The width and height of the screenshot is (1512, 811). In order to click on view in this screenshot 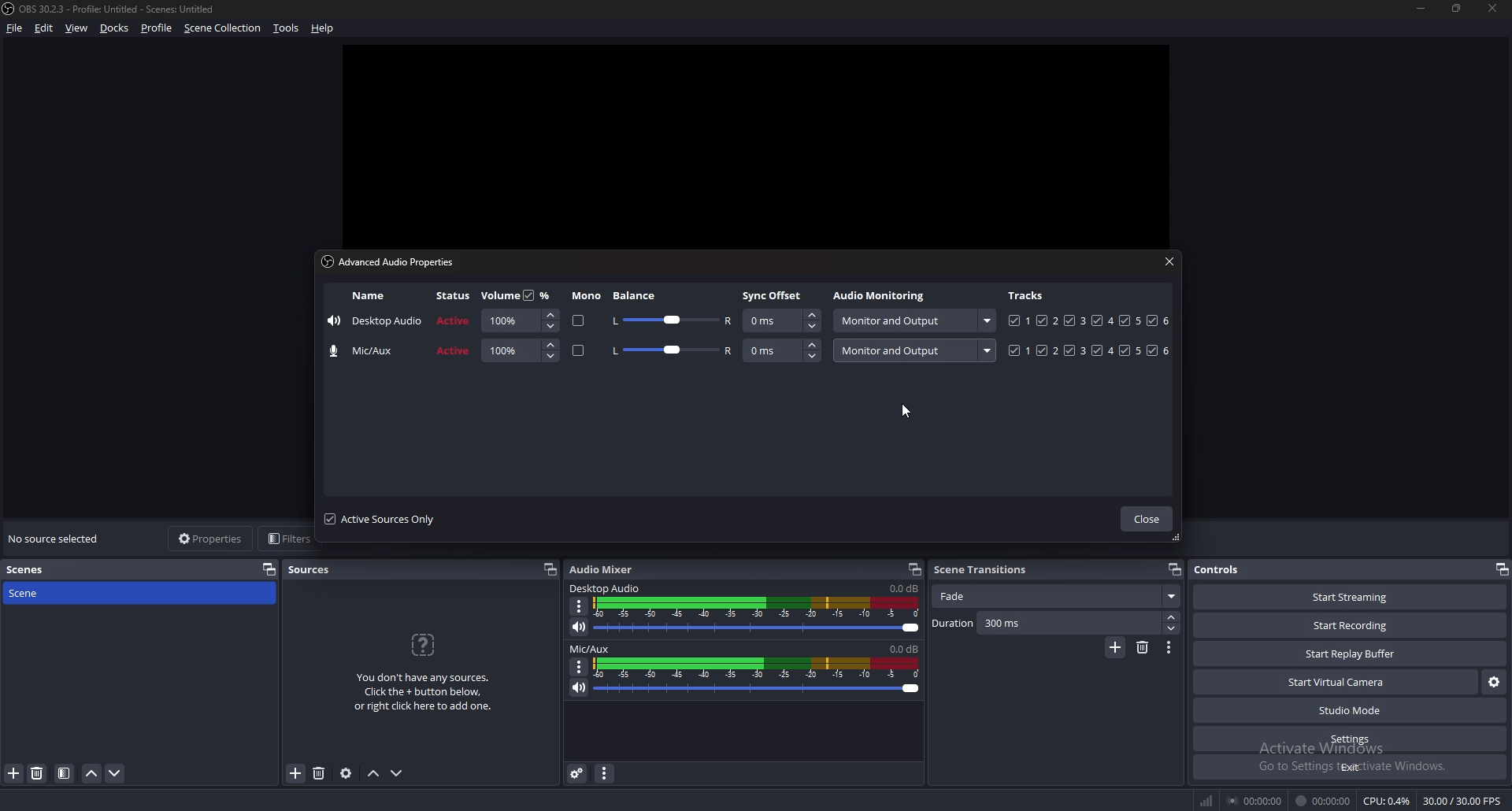, I will do `click(78, 28)`.